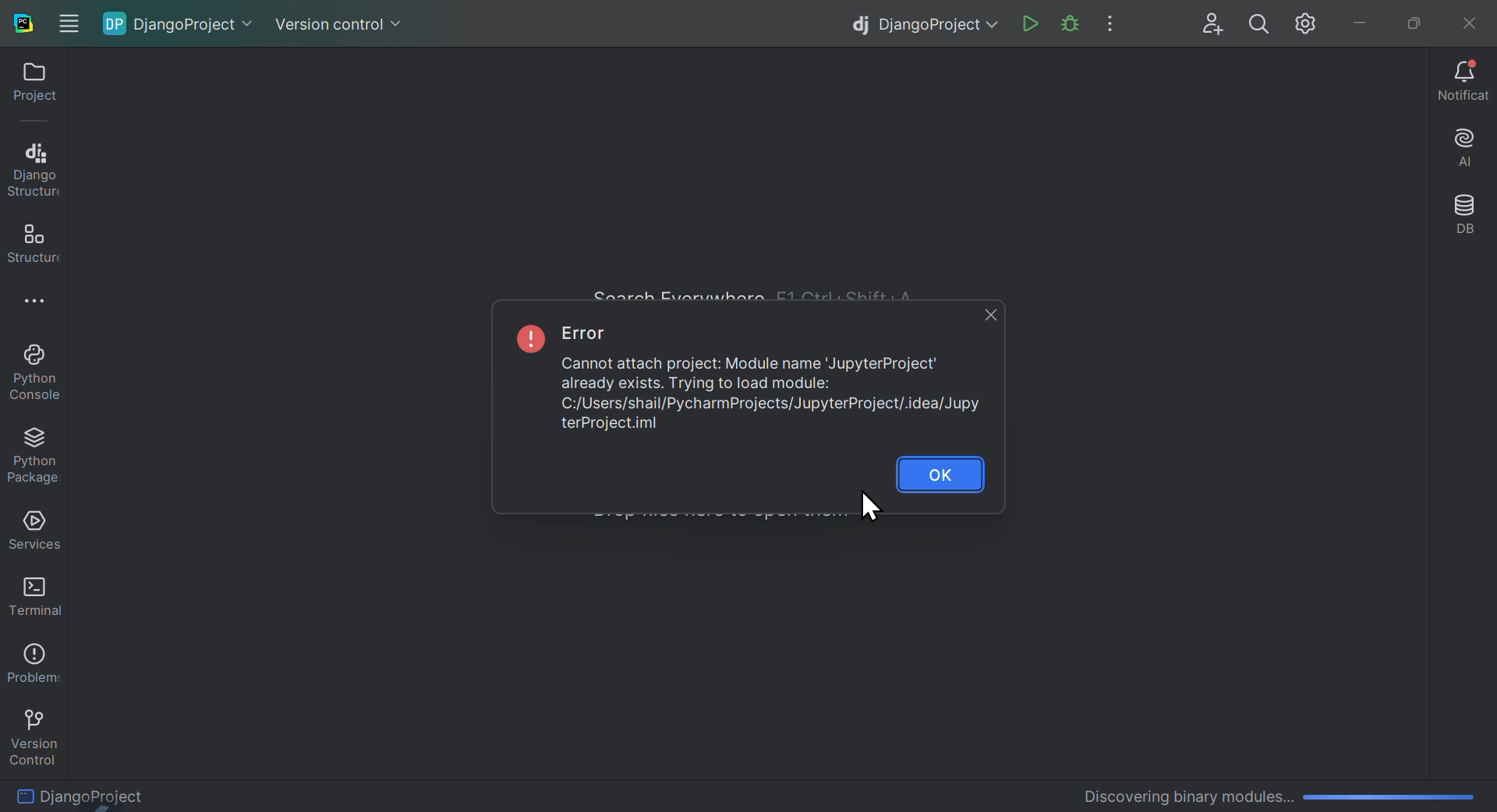 This screenshot has height=812, width=1497. Describe the element at coordinates (1069, 24) in the screenshot. I see `Run project file` at that location.